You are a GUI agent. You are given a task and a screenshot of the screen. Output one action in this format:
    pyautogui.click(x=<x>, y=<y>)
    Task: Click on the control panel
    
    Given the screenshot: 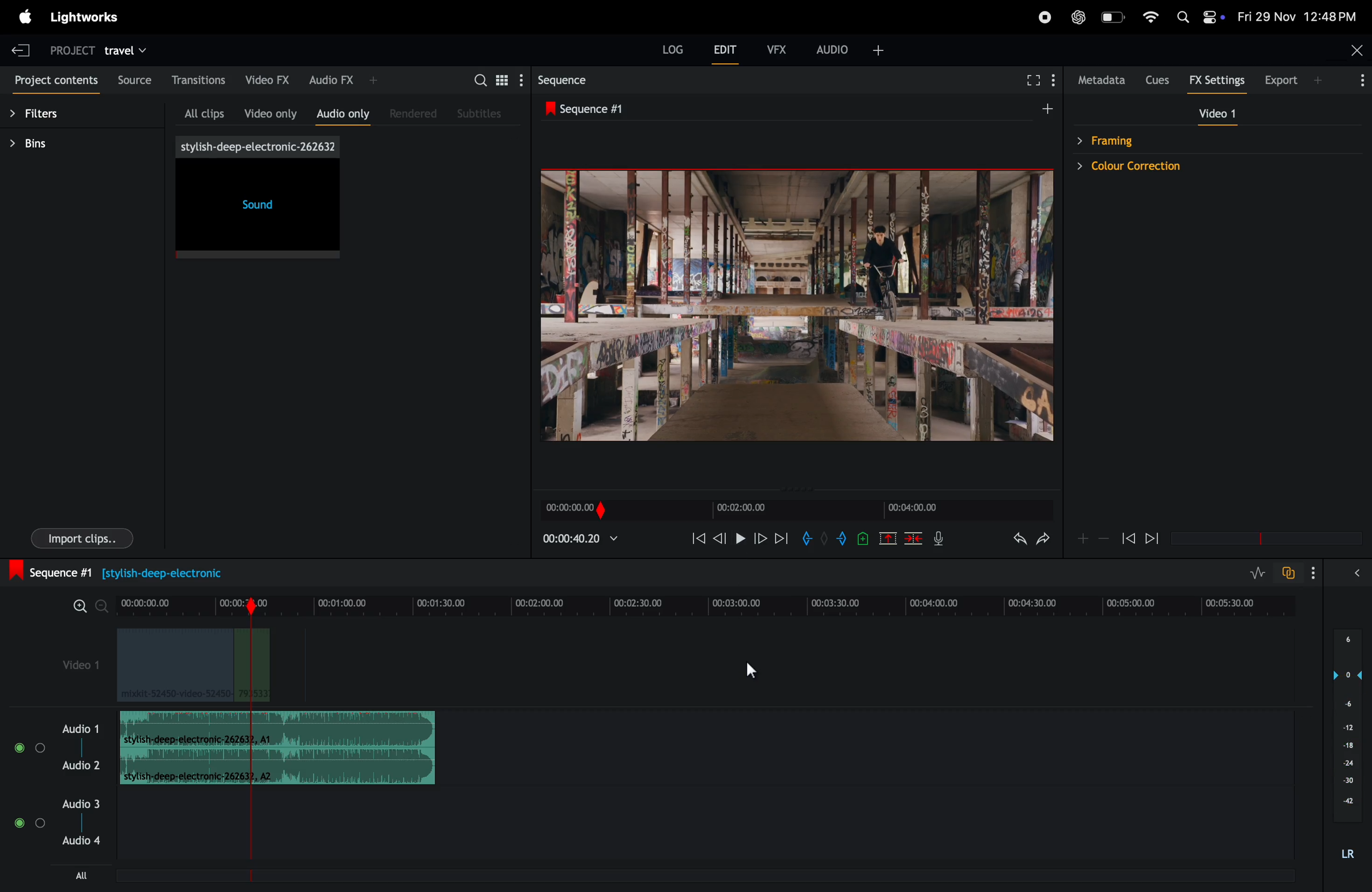 What is the action you would take?
    pyautogui.click(x=1223, y=20)
    